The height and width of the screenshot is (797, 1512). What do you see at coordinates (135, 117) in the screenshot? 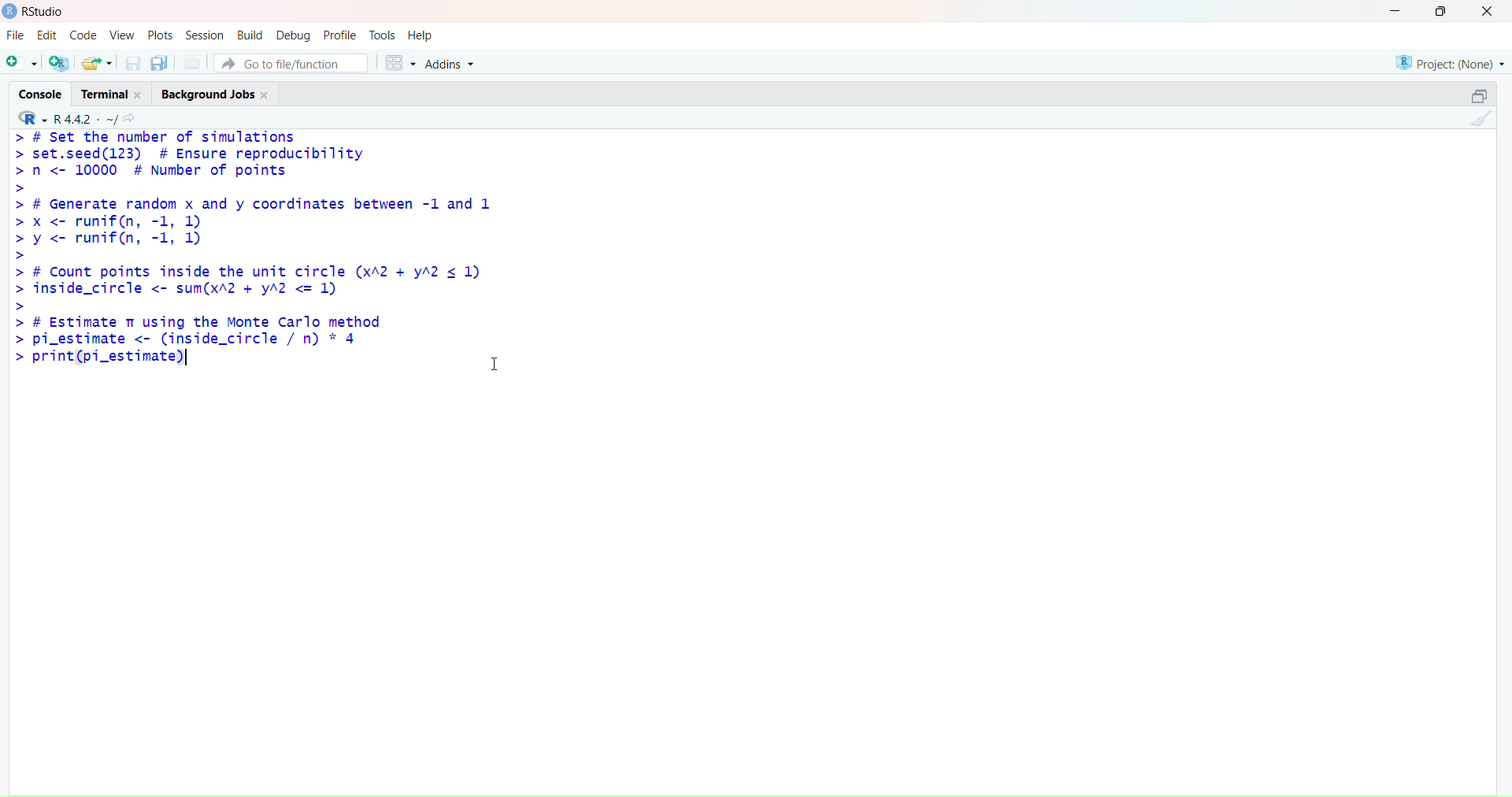
I see `View the current working directory` at bounding box center [135, 117].